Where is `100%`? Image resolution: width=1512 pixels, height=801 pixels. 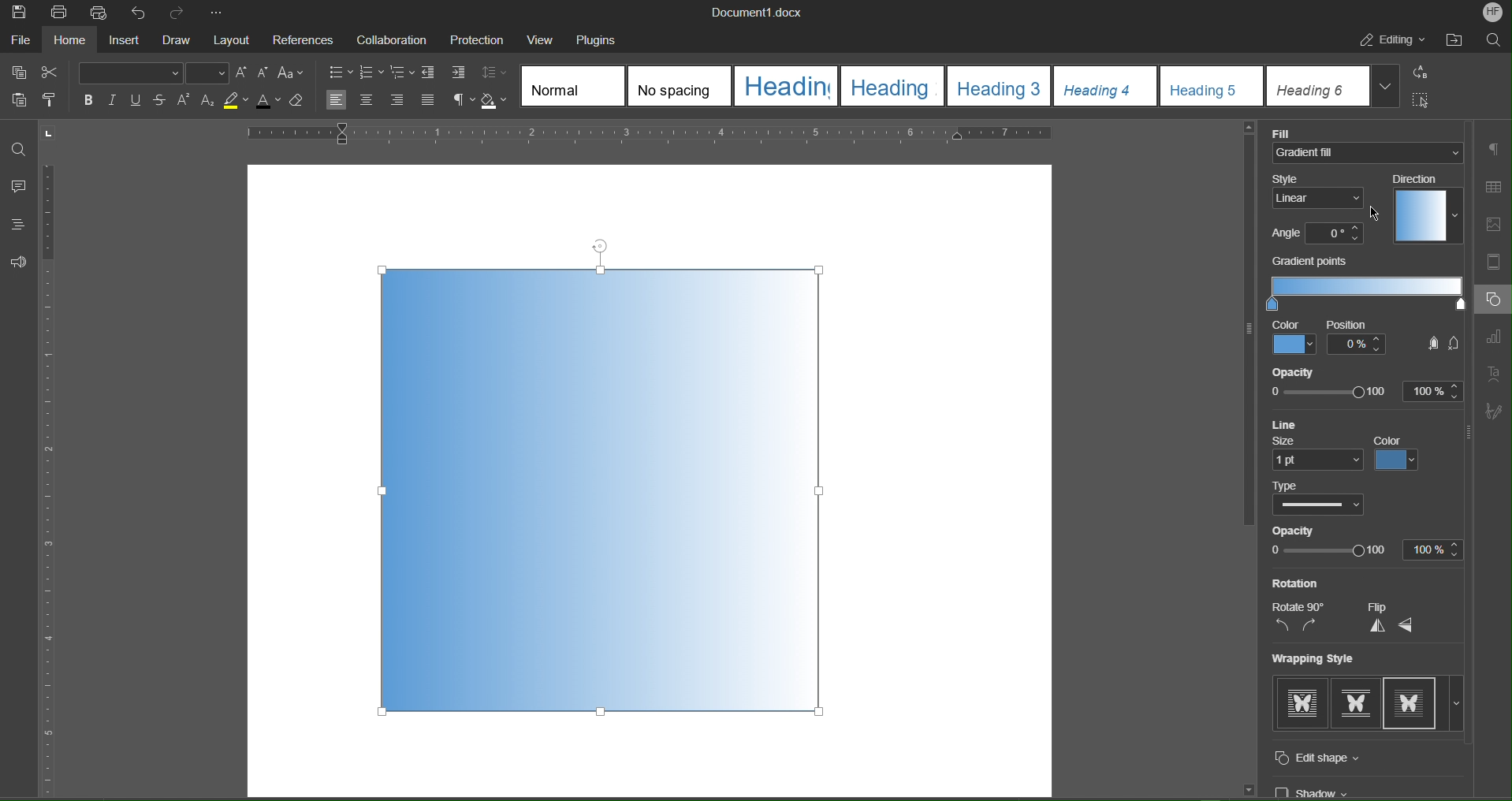 100% is located at coordinates (1433, 389).